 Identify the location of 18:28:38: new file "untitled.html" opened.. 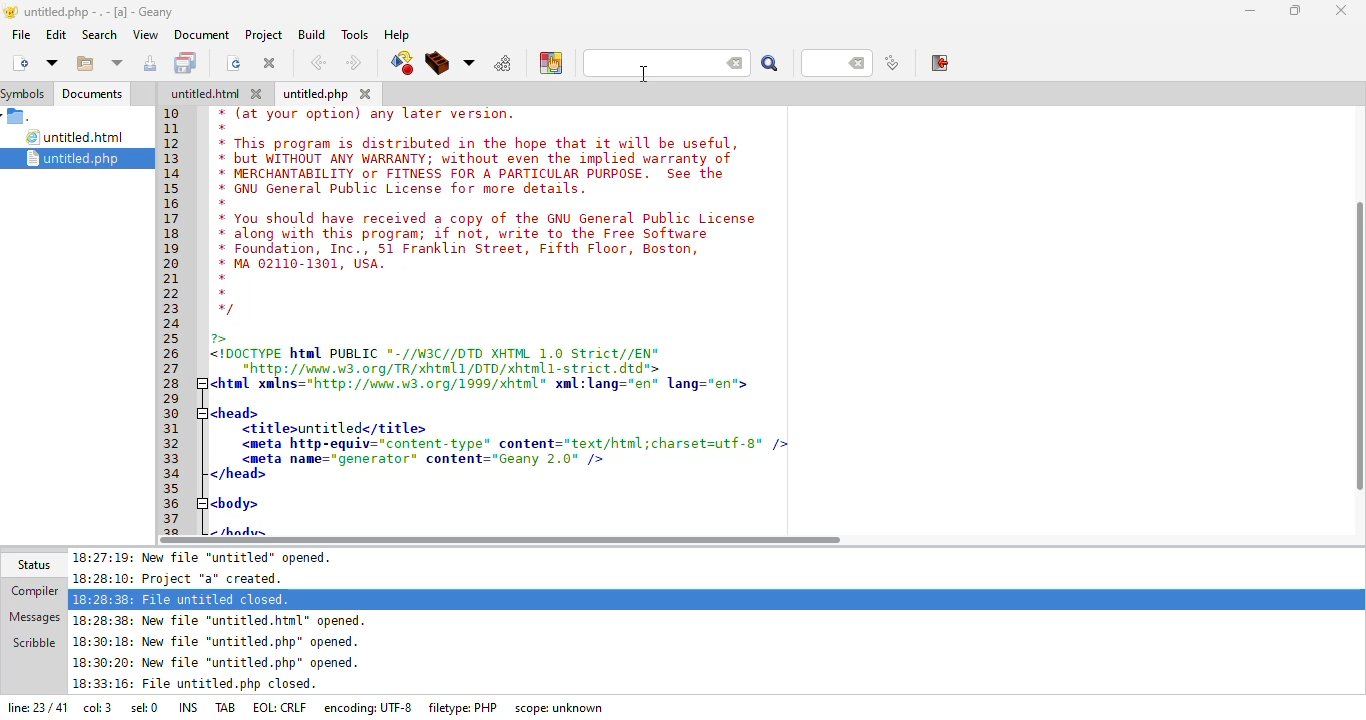
(225, 620).